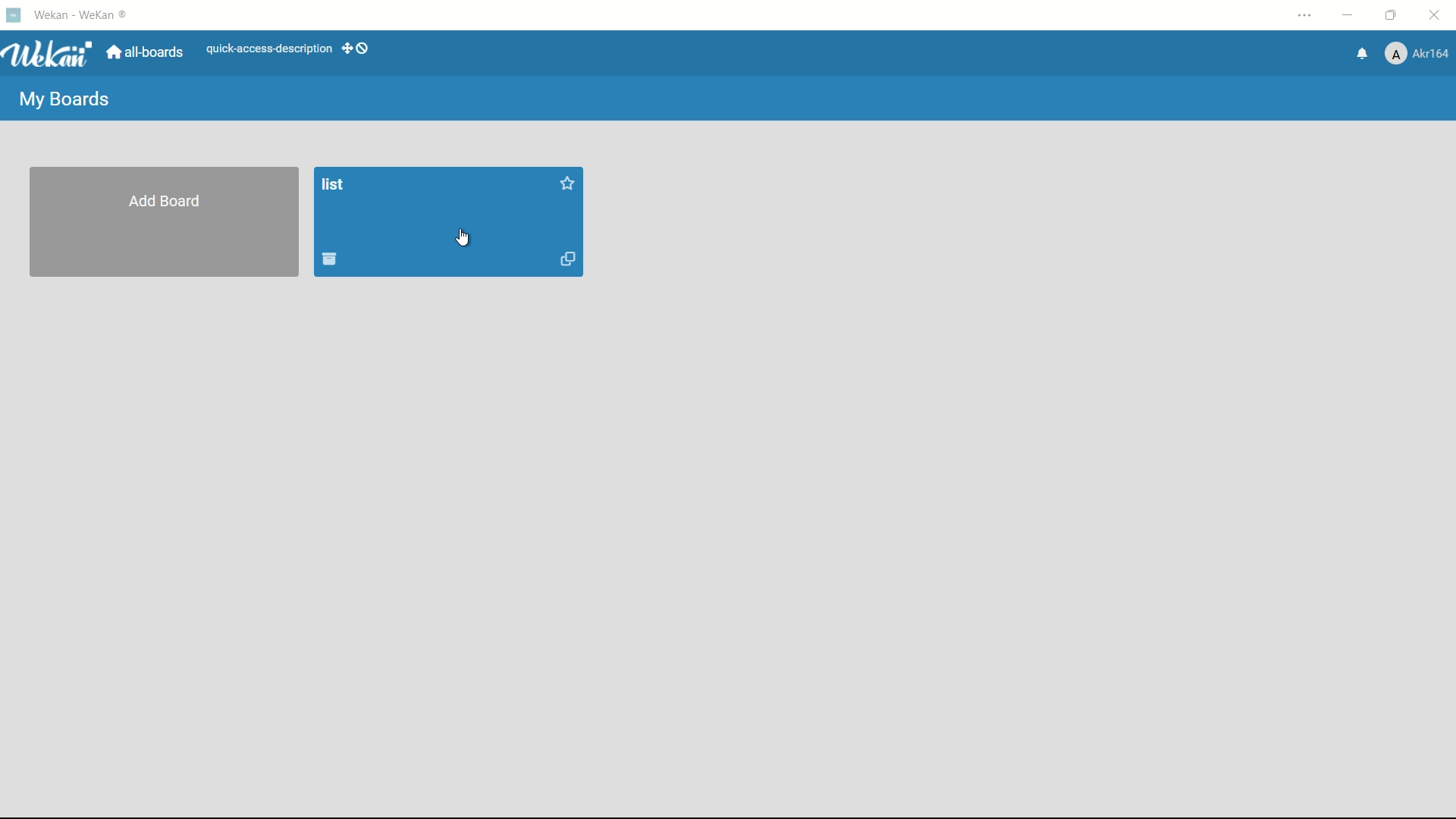  Describe the element at coordinates (463, 239) in the screenshot. I see `cursor` at that location.